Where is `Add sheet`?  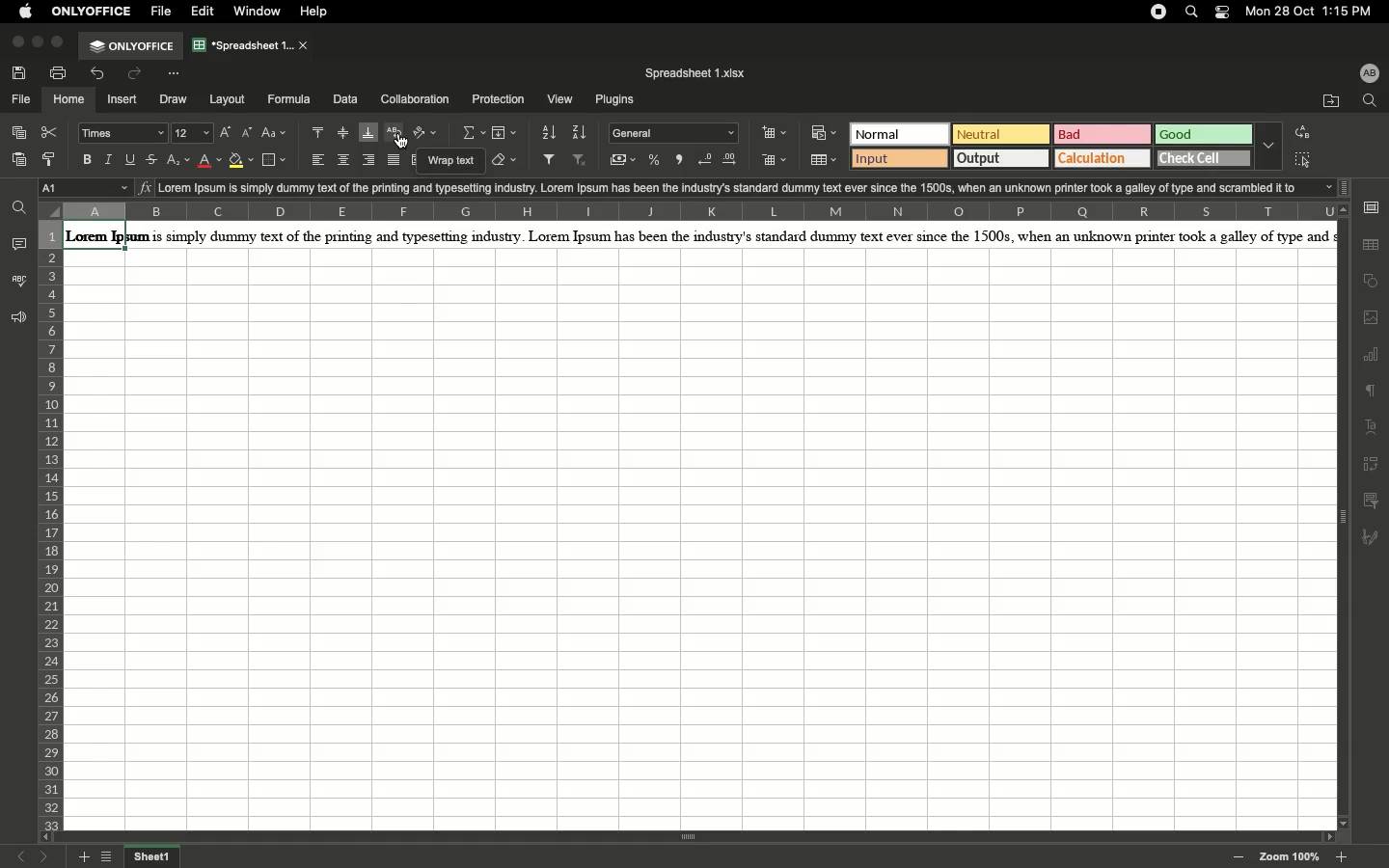 Add sheet is located at coordinates (84, 857).